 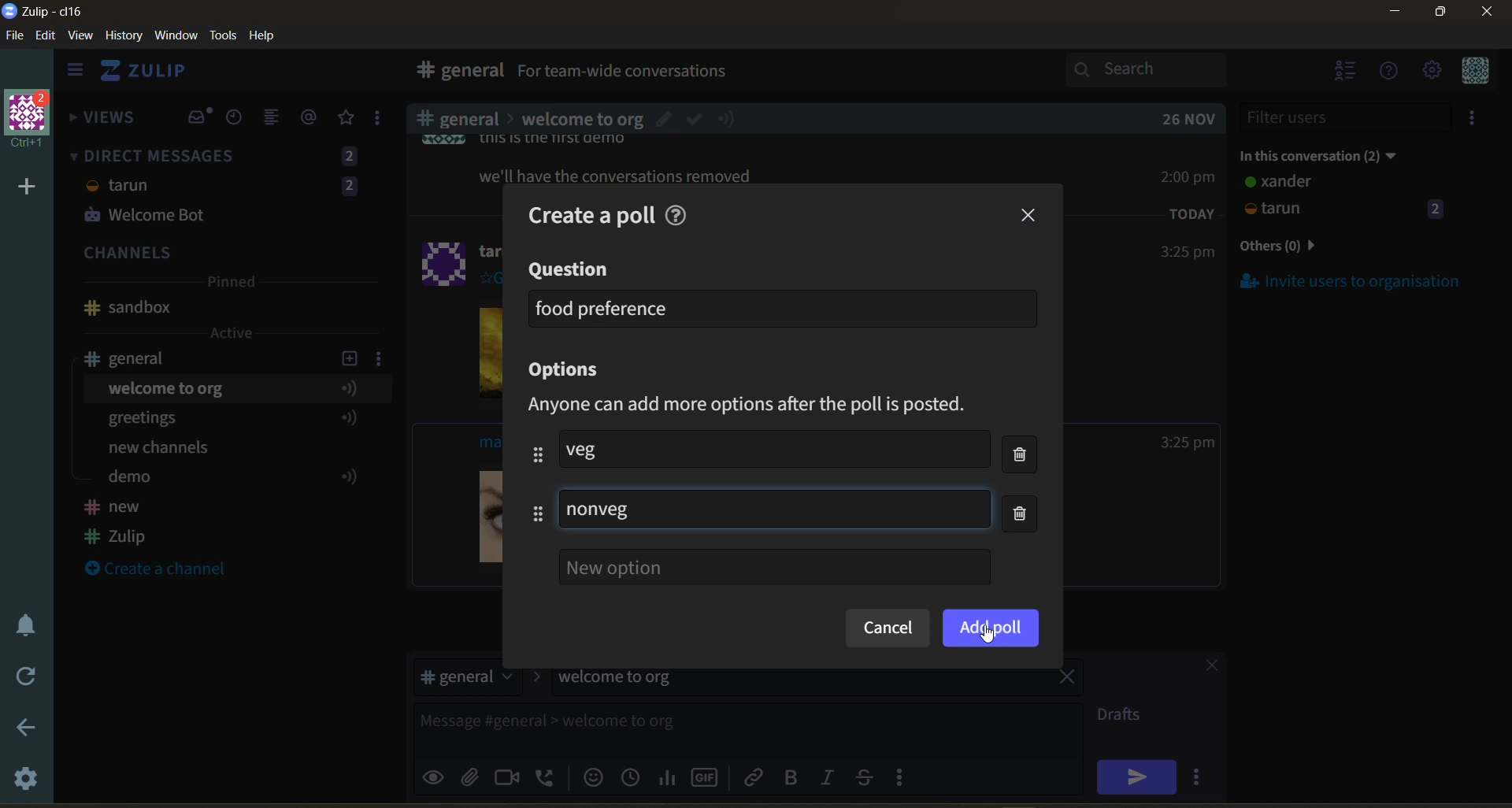 I want to click on , so click(x=581, y=116).